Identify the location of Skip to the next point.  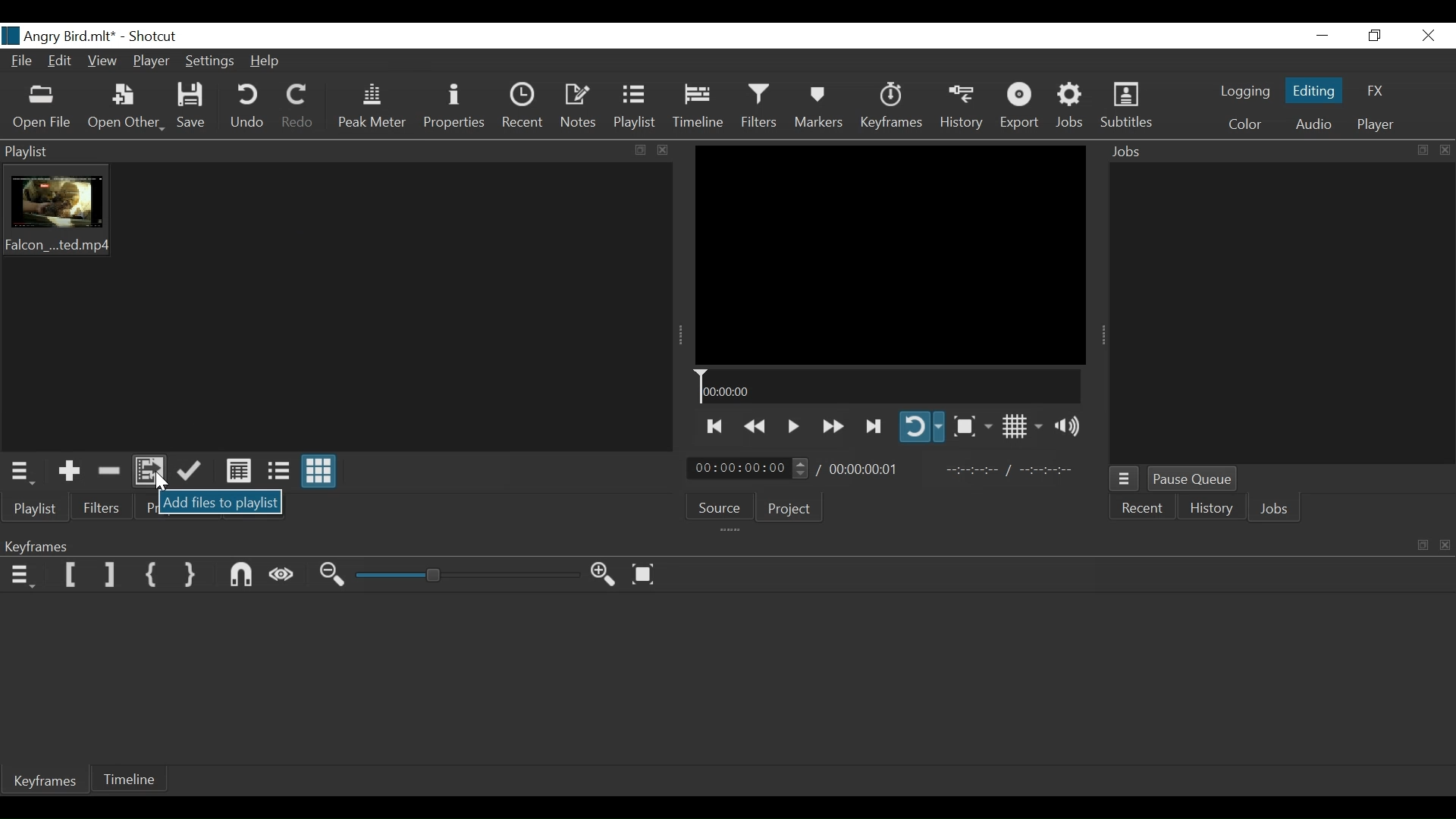
(715, 426).